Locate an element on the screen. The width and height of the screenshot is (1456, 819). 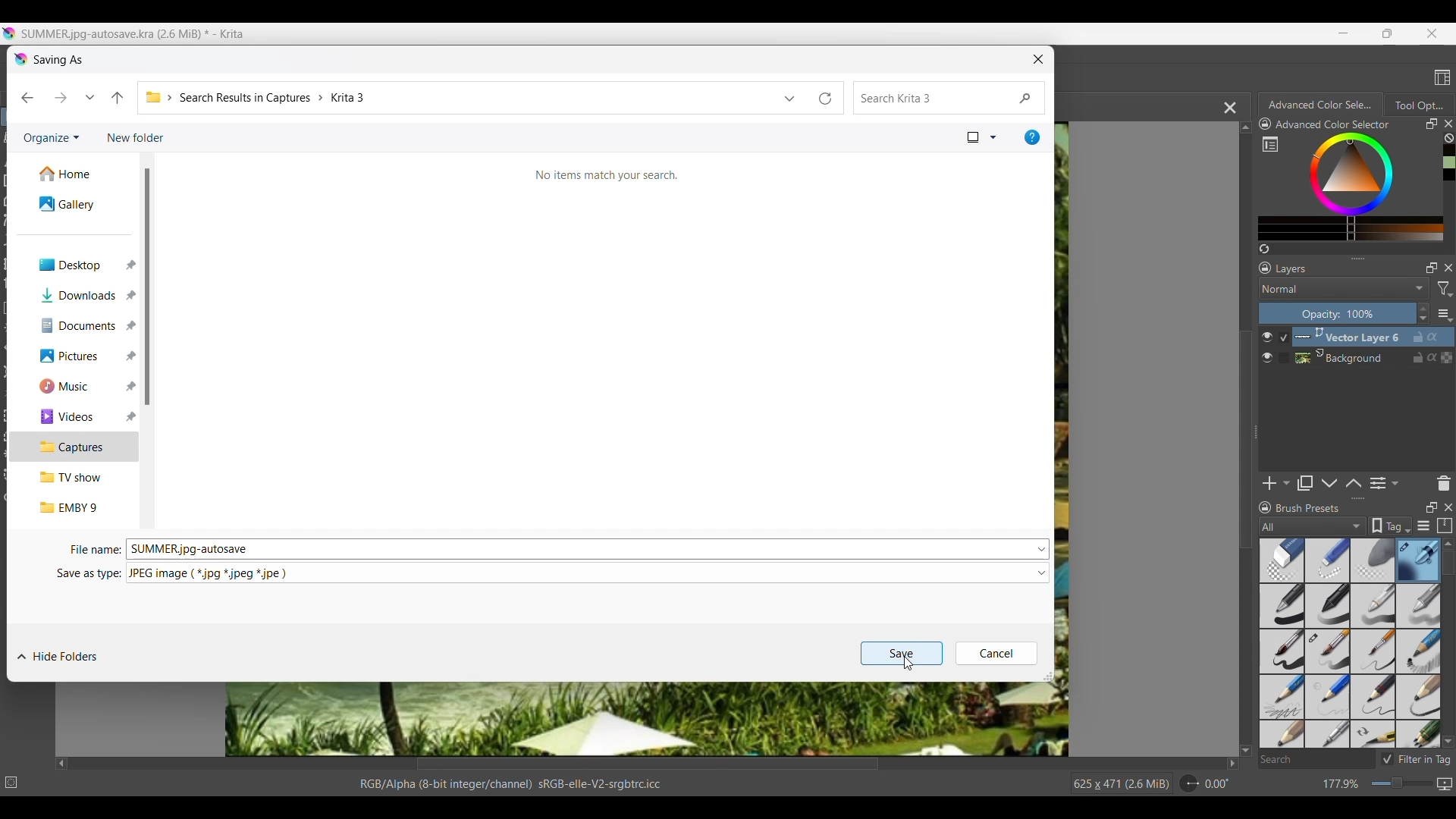
Title of current layer is located at coordinates (1291, 268).